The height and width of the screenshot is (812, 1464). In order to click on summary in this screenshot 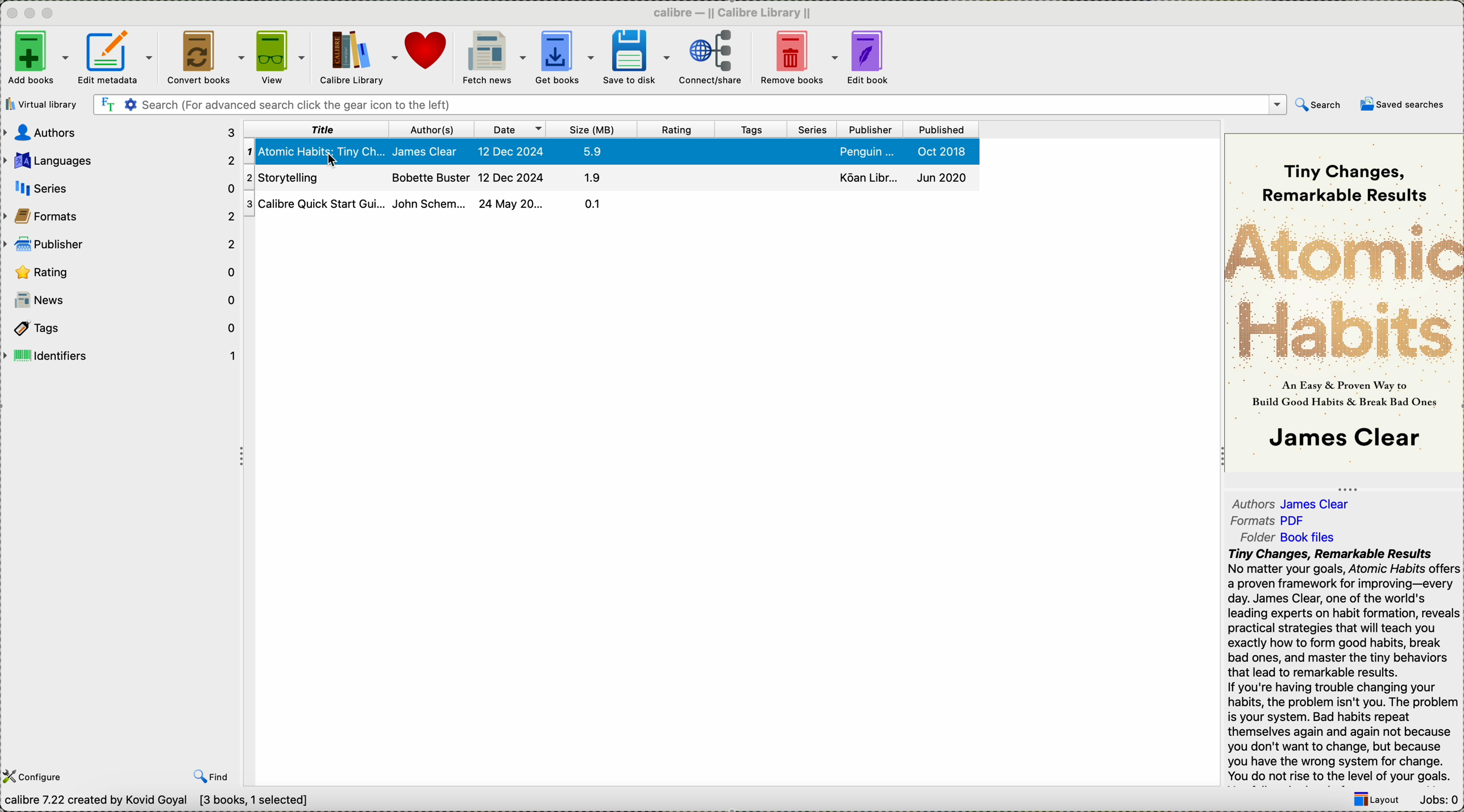, I will do `click(1343, 666)`.